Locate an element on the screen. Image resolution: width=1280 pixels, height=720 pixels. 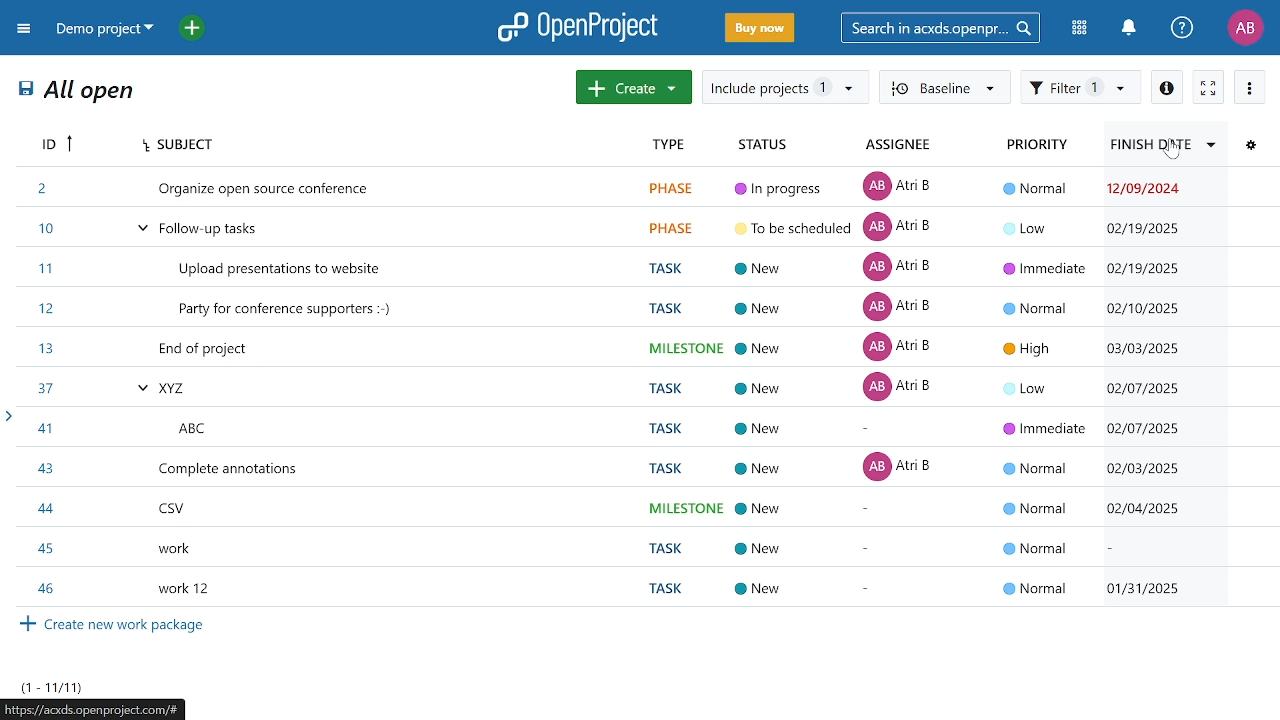
open sidebar is located at coordinates (8, 419).